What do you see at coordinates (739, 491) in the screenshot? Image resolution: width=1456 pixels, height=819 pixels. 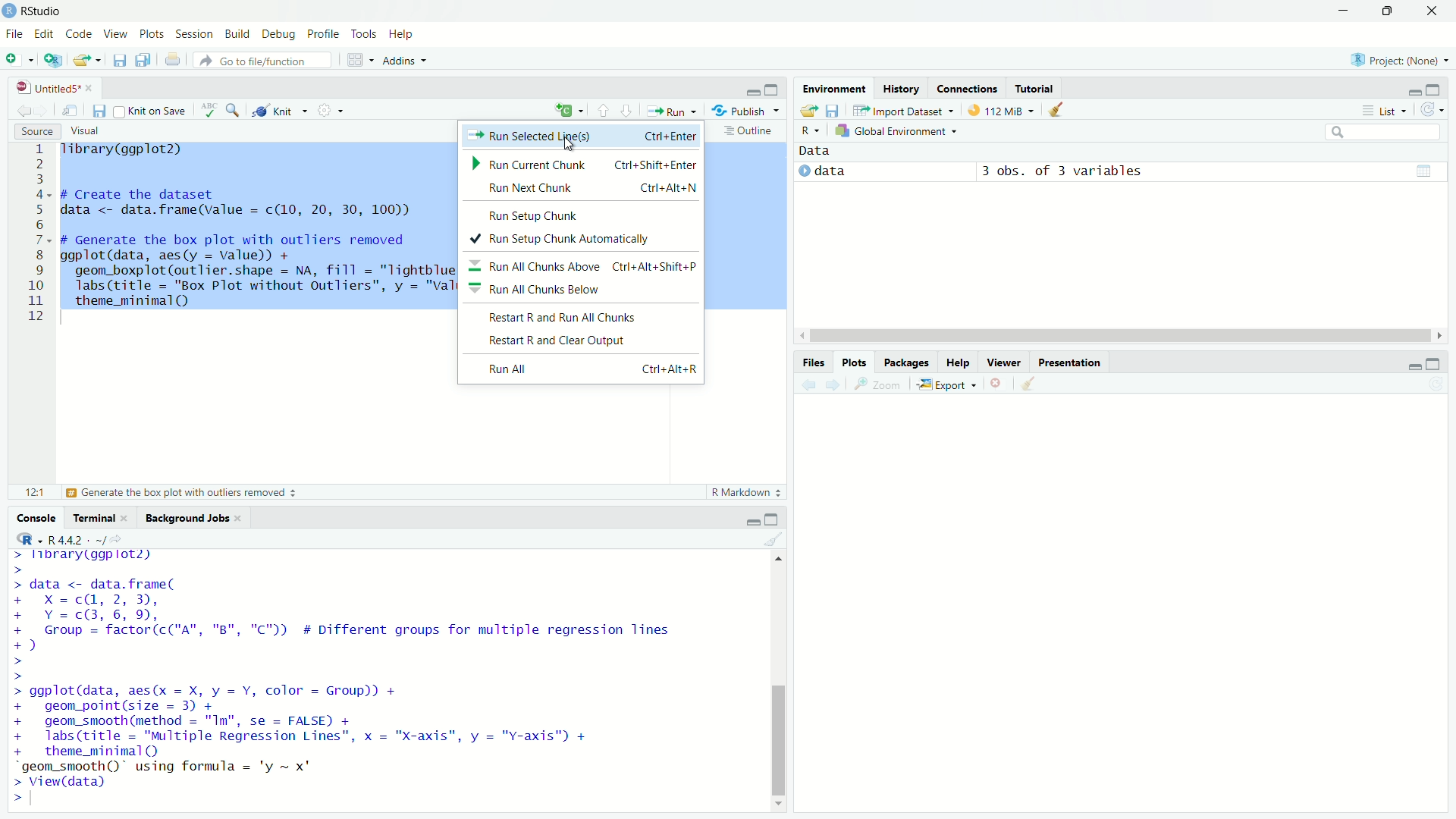 I see `R Markdown` at bounding box center [739, 491].